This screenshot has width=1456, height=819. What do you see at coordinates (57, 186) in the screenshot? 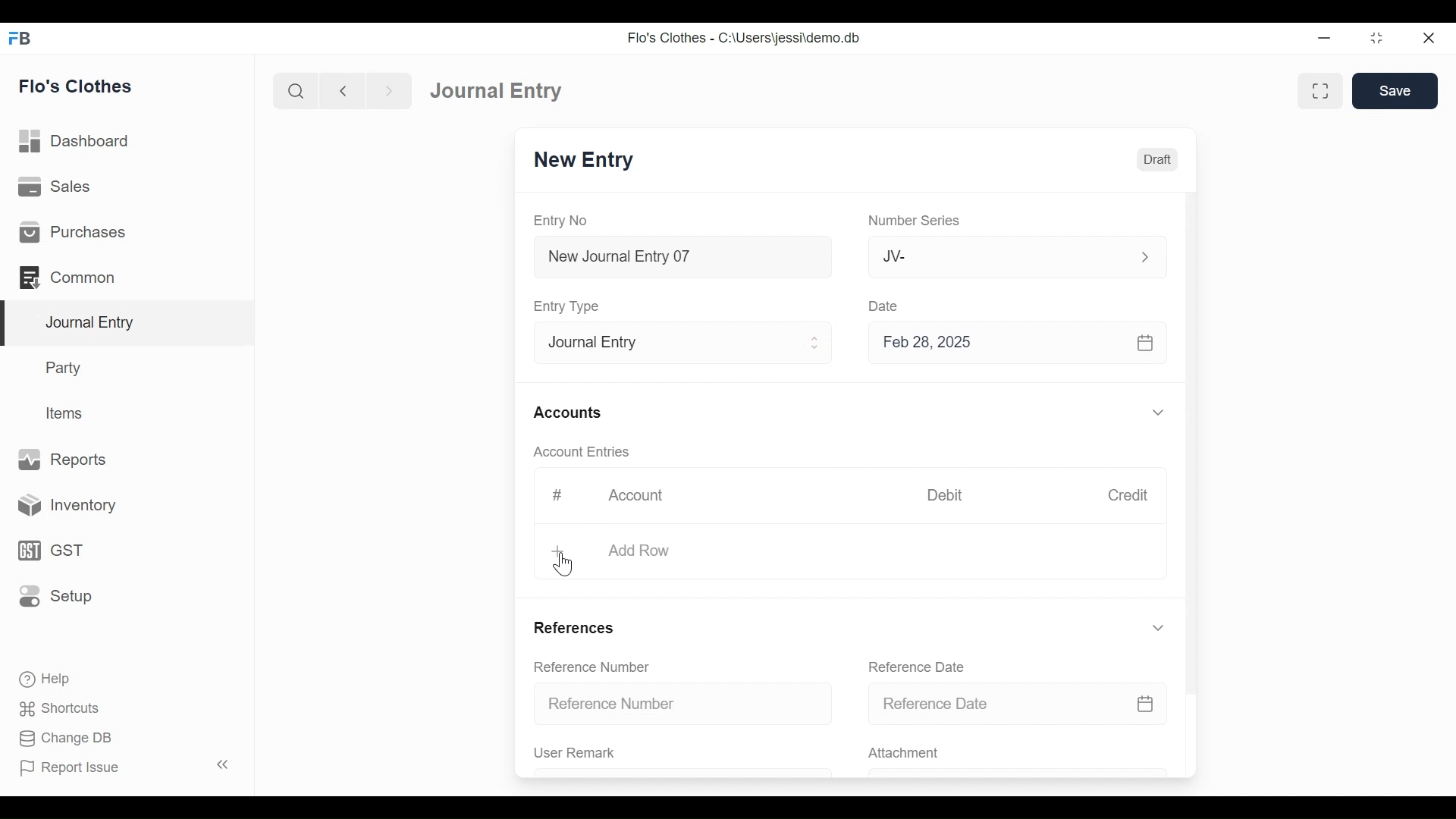
I see `Sales` at bounding box center [57, 186].